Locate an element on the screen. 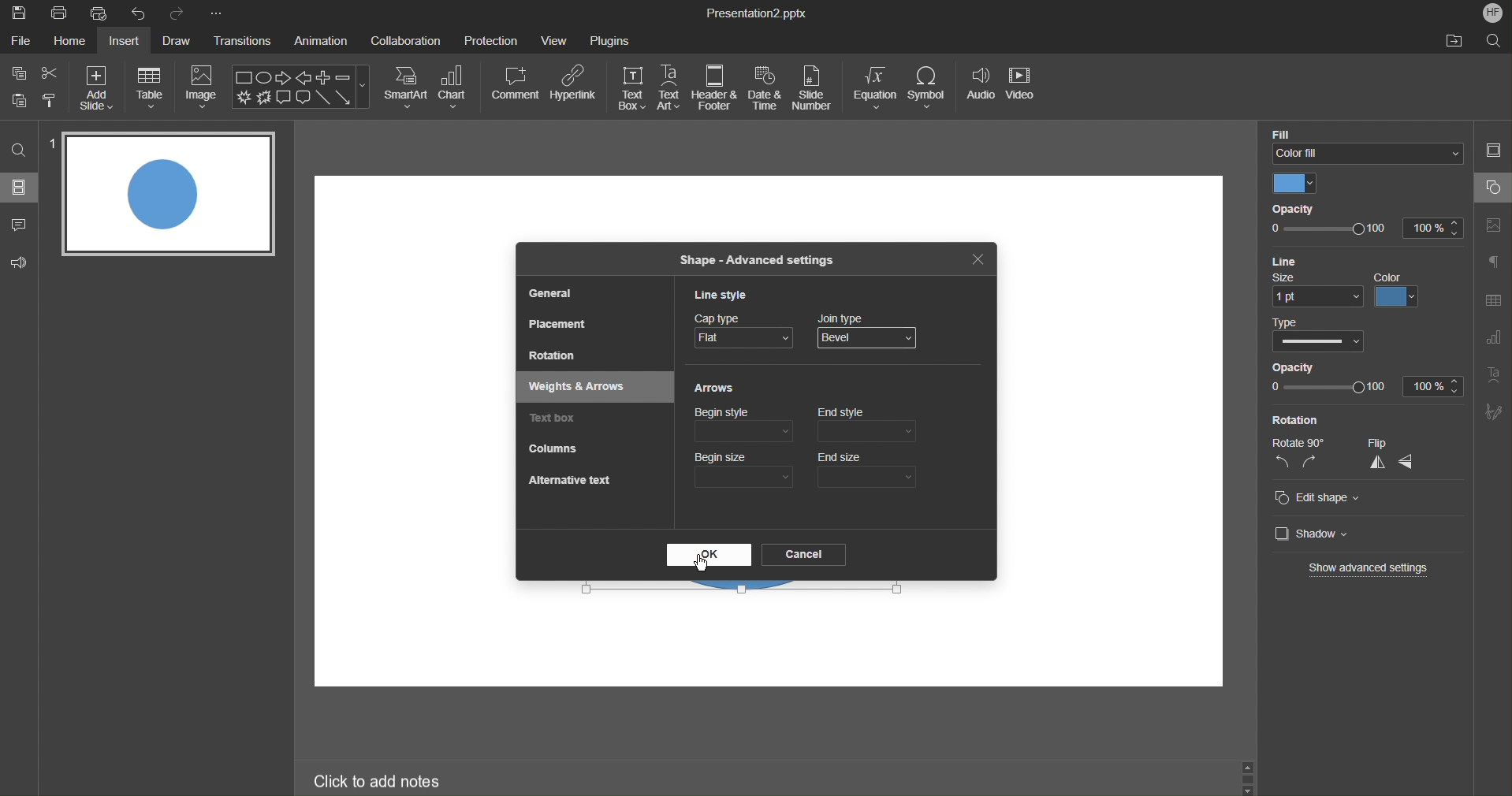 This screenshot has width=1512, height=796. Opacity is located at coordinates (1294, 366).